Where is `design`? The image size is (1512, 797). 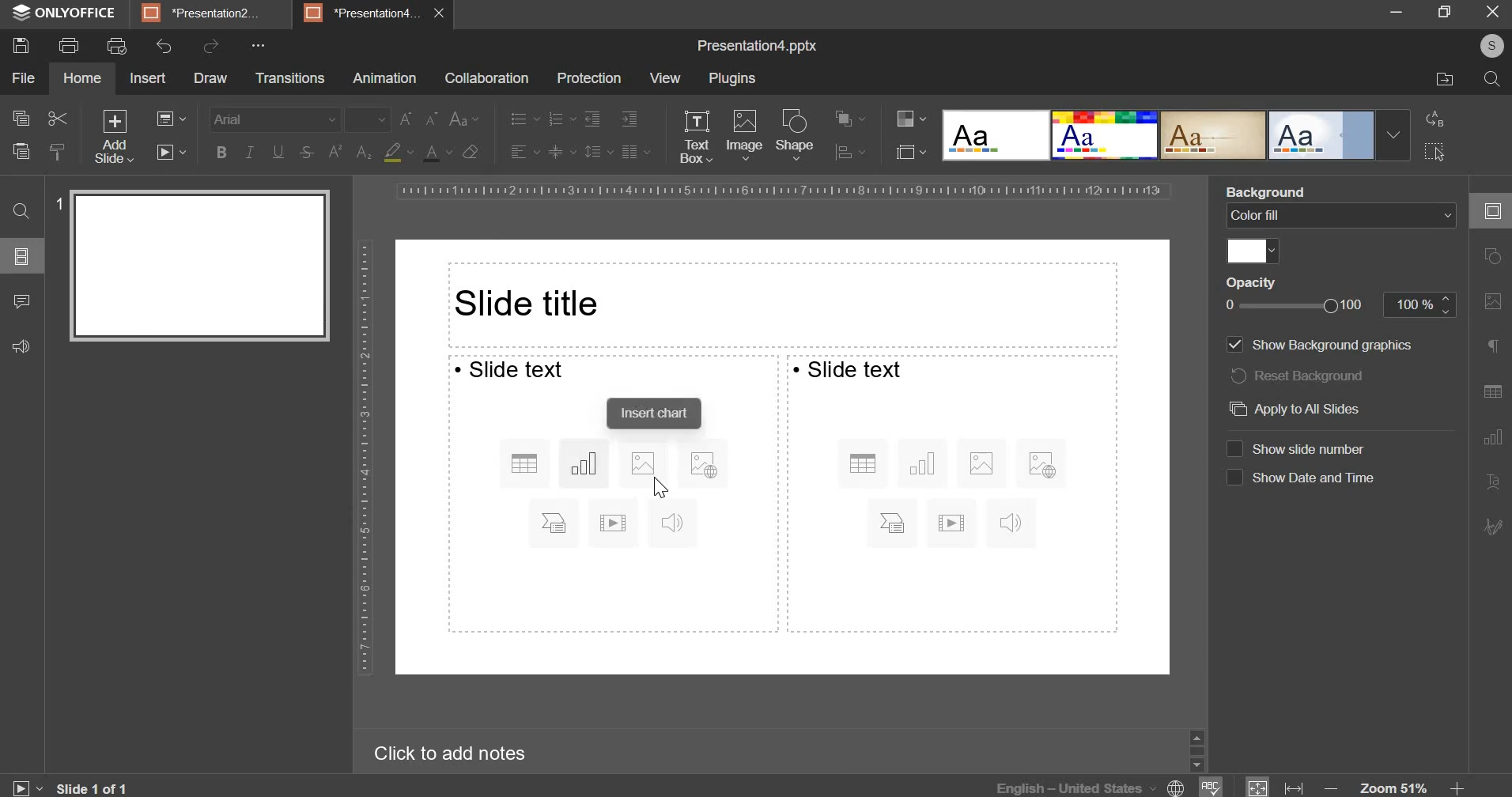 design is located at coordinates (997, 136).